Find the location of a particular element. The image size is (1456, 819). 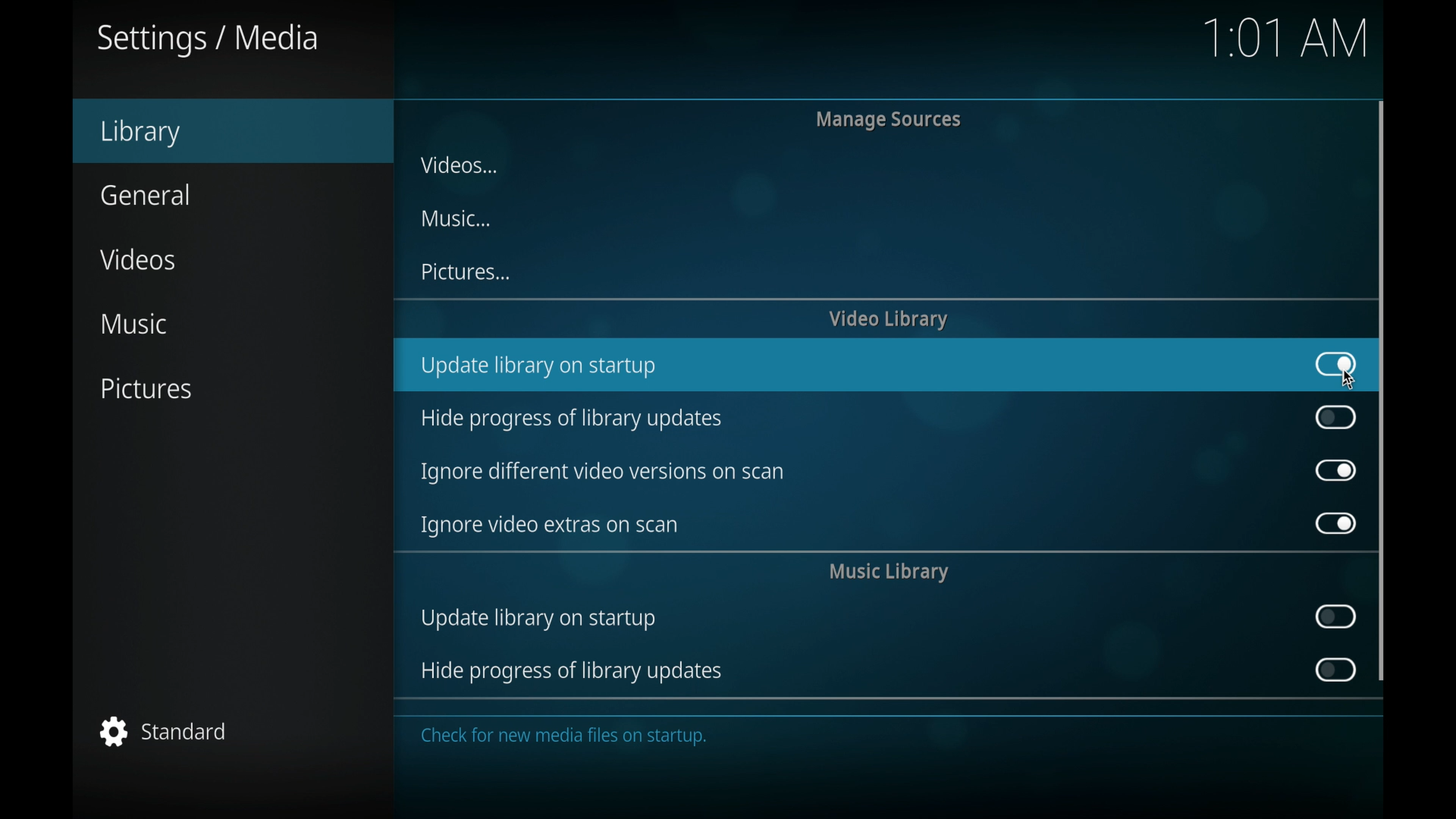

standard is located at coordinates (164, 731).